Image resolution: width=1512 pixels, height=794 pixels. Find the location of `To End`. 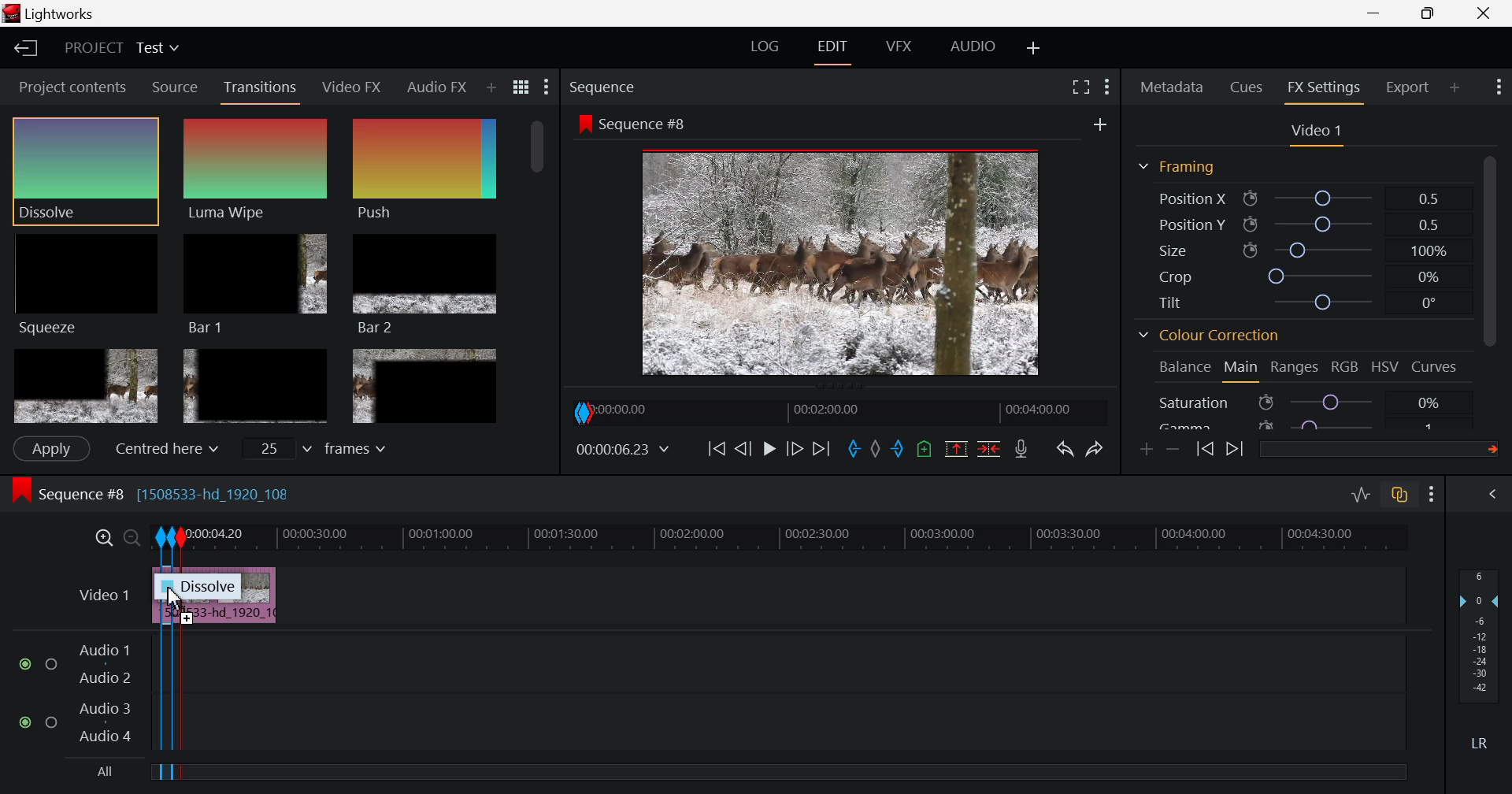

To End is located at coordinates (819, 452).